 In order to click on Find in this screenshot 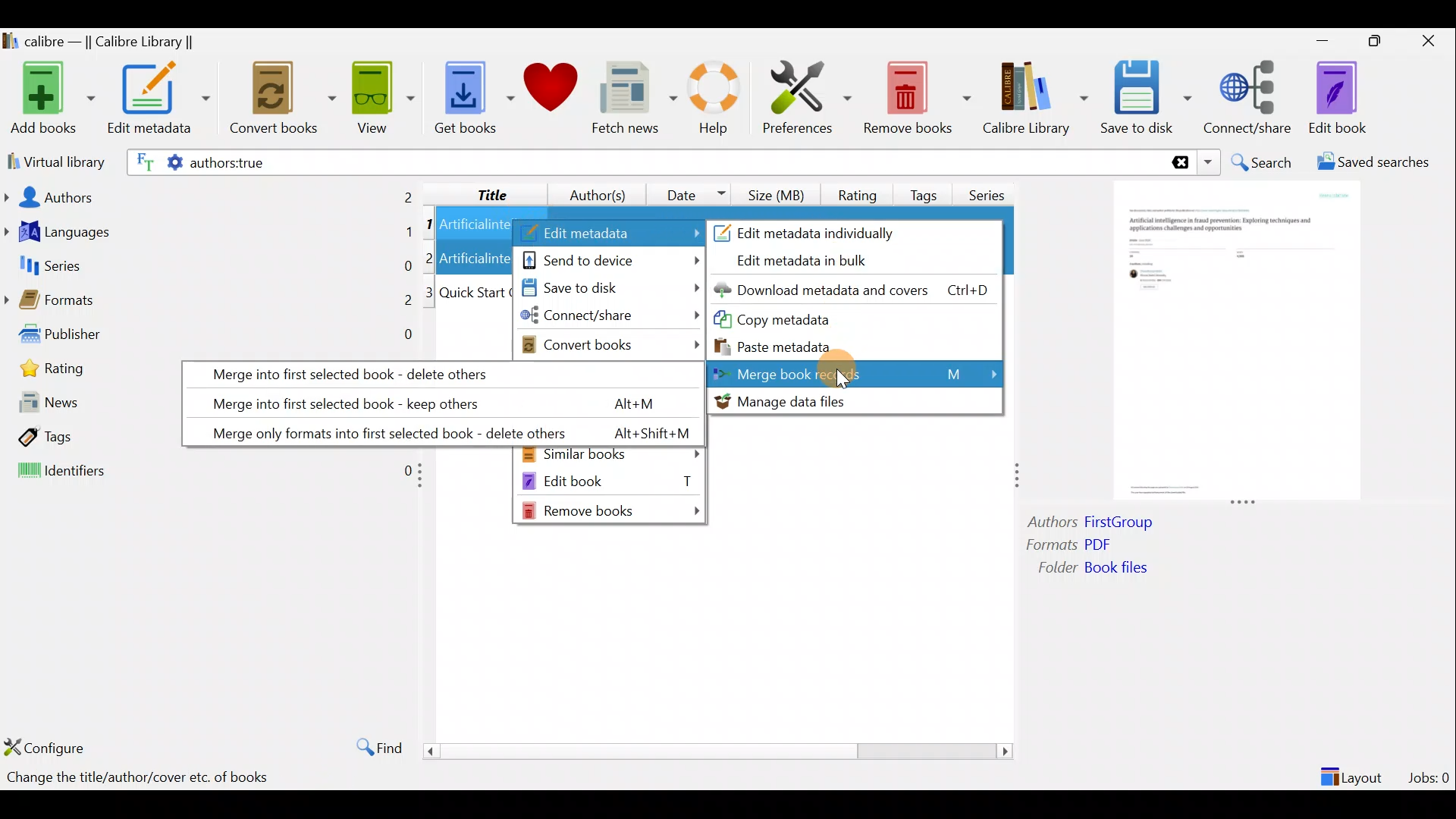, I will do `click(372, 746)`.